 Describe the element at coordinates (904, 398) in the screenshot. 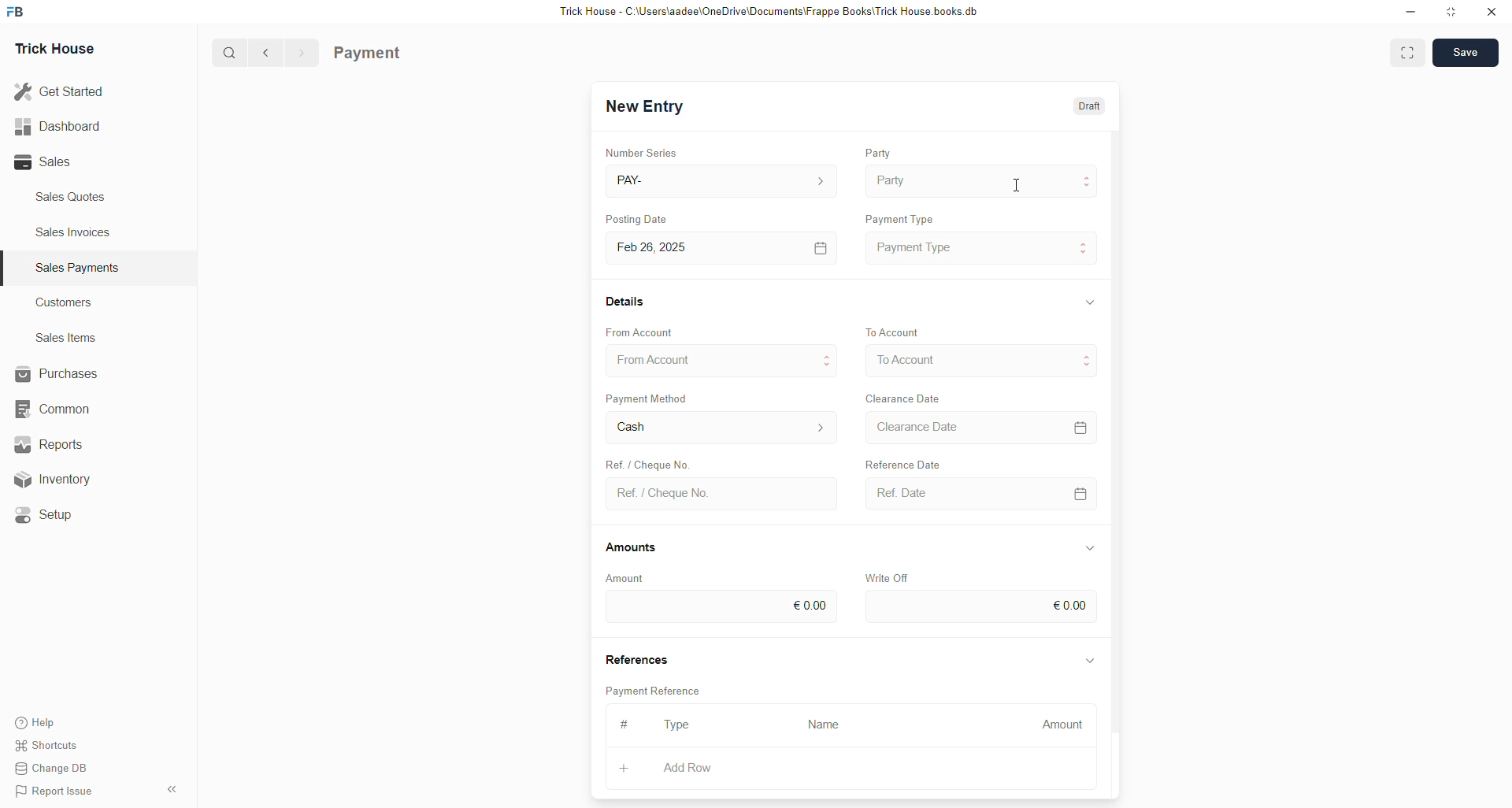

I see `Clearance Date` at that location.